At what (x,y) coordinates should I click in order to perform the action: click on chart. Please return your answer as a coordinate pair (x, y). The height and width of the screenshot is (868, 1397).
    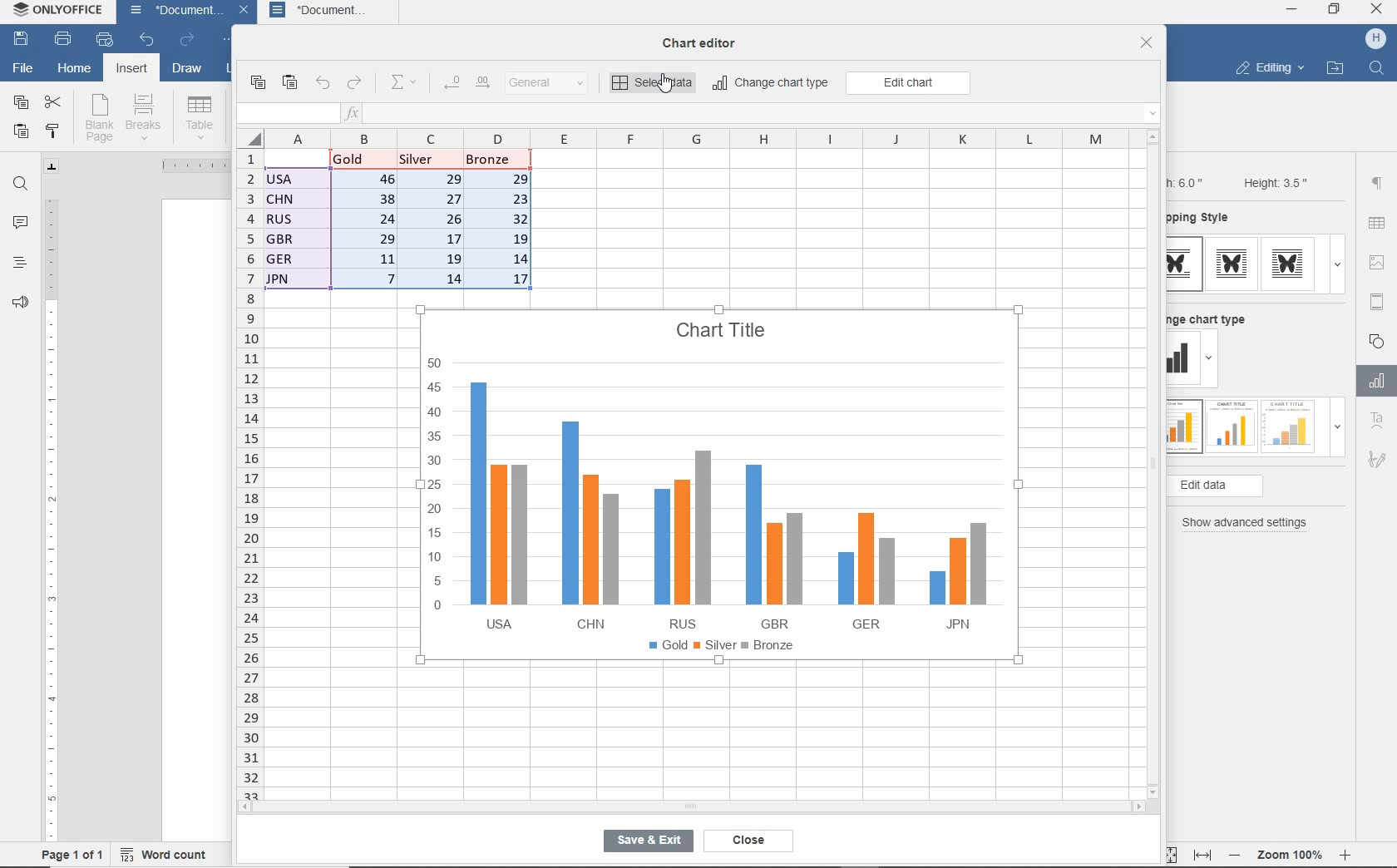
    Looking at the image, I should click on (712, 488).